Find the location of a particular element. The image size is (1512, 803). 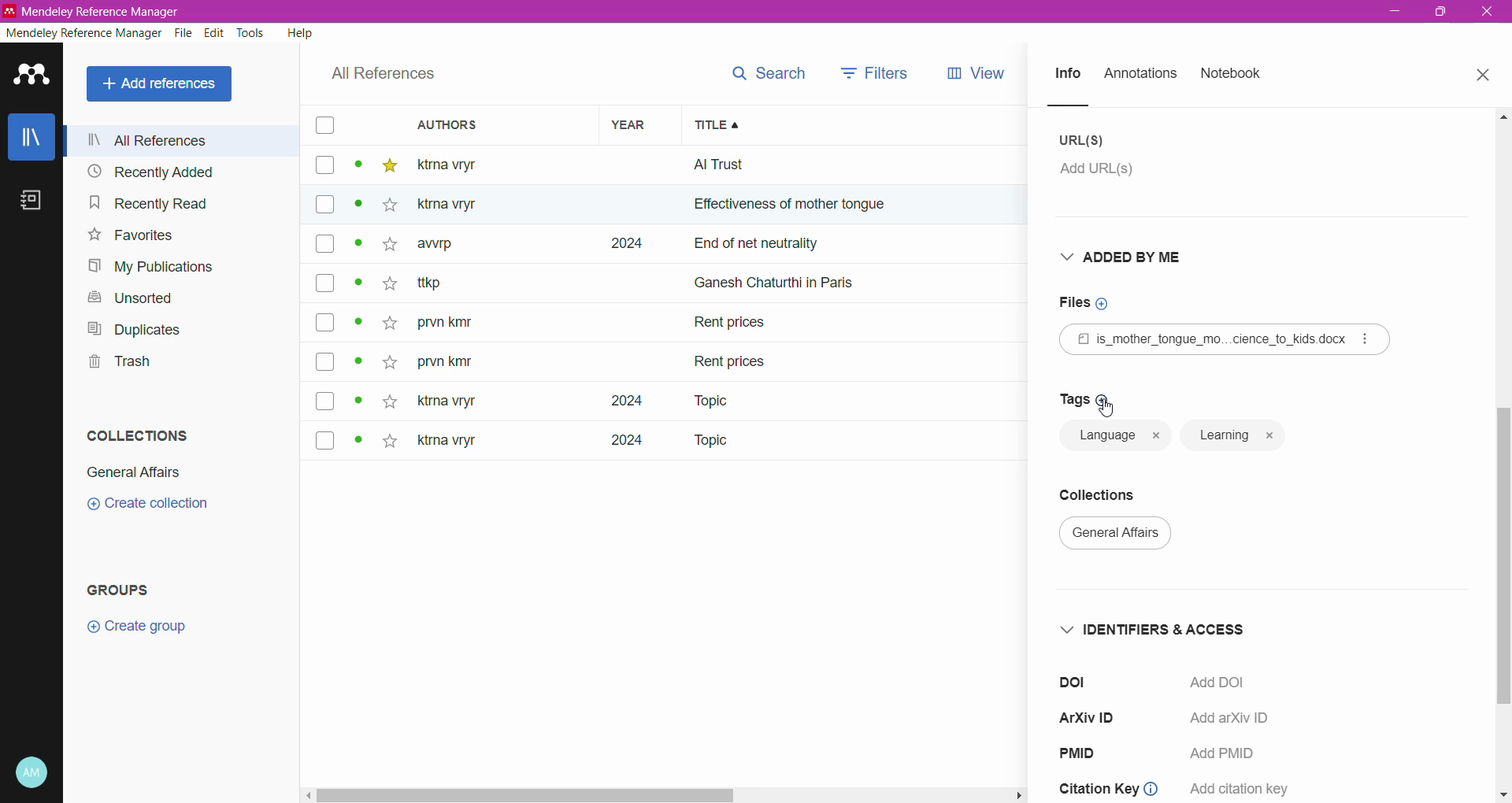

add citation key  is located at coordinates (1240, 788).